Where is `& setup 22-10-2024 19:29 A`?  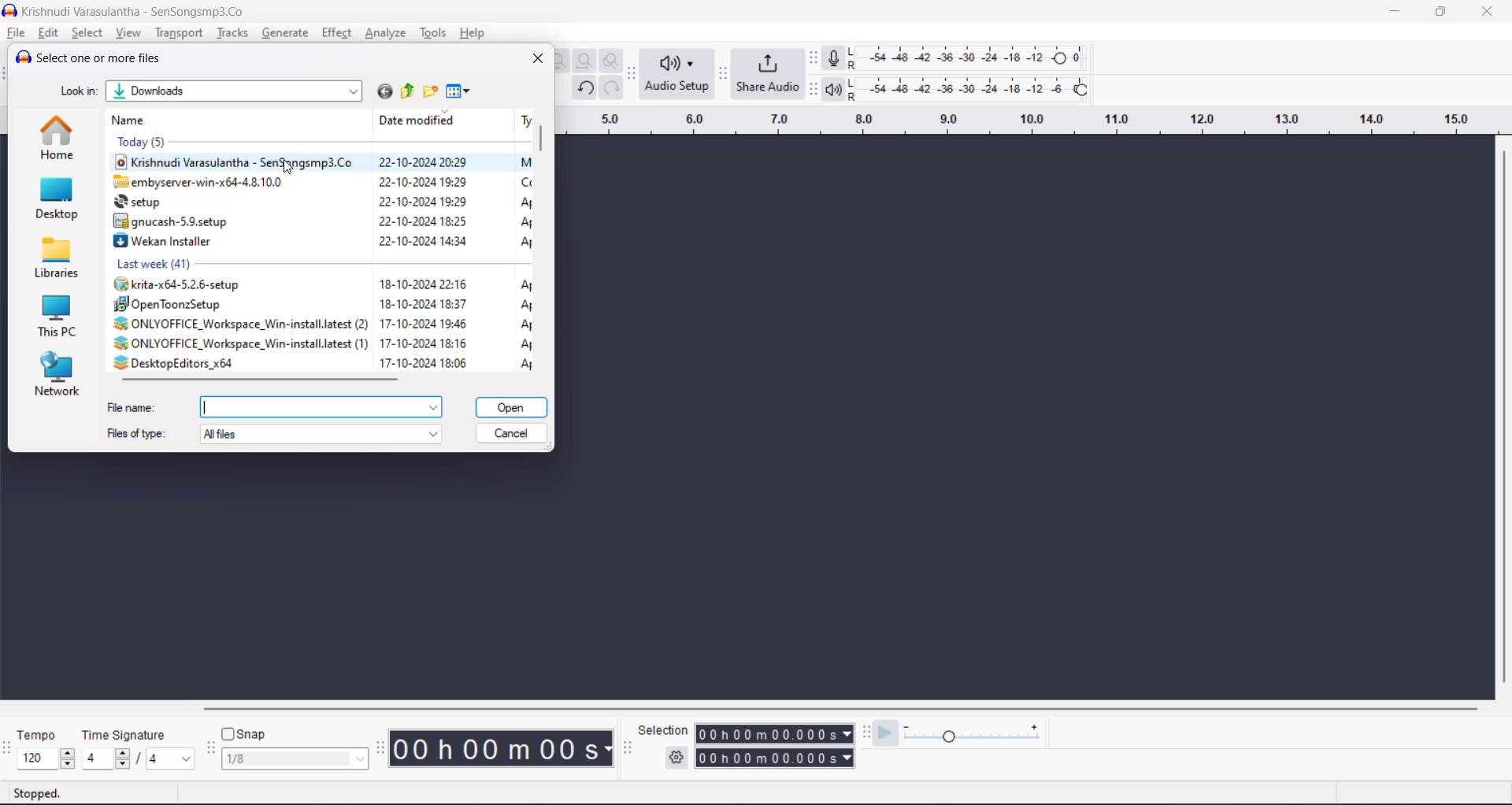
& setup 22-10-2024 19:29 A is located at coordinates (321, 200).